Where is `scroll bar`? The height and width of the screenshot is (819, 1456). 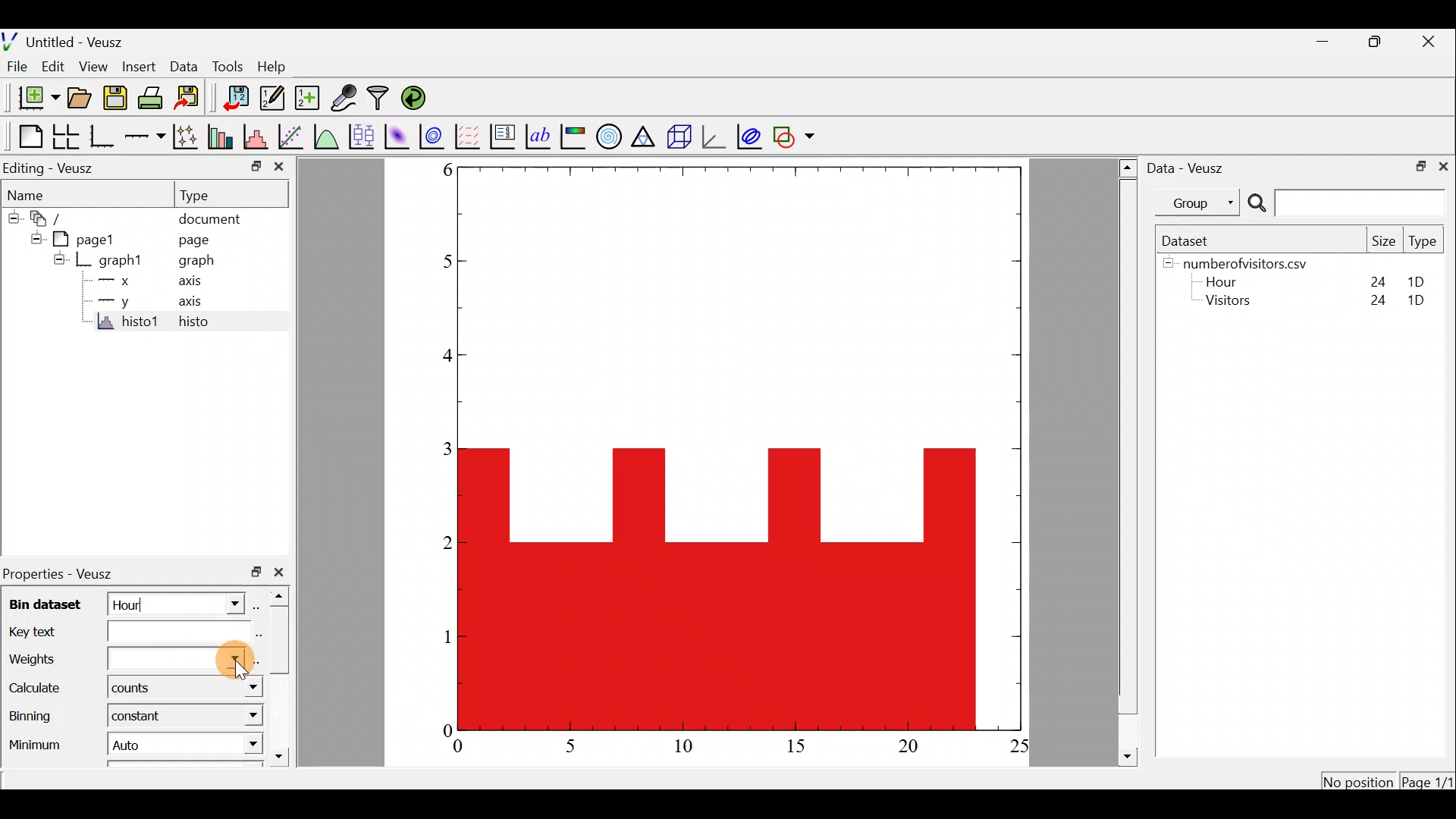 scroll bar is located at coordinates (282, 679).